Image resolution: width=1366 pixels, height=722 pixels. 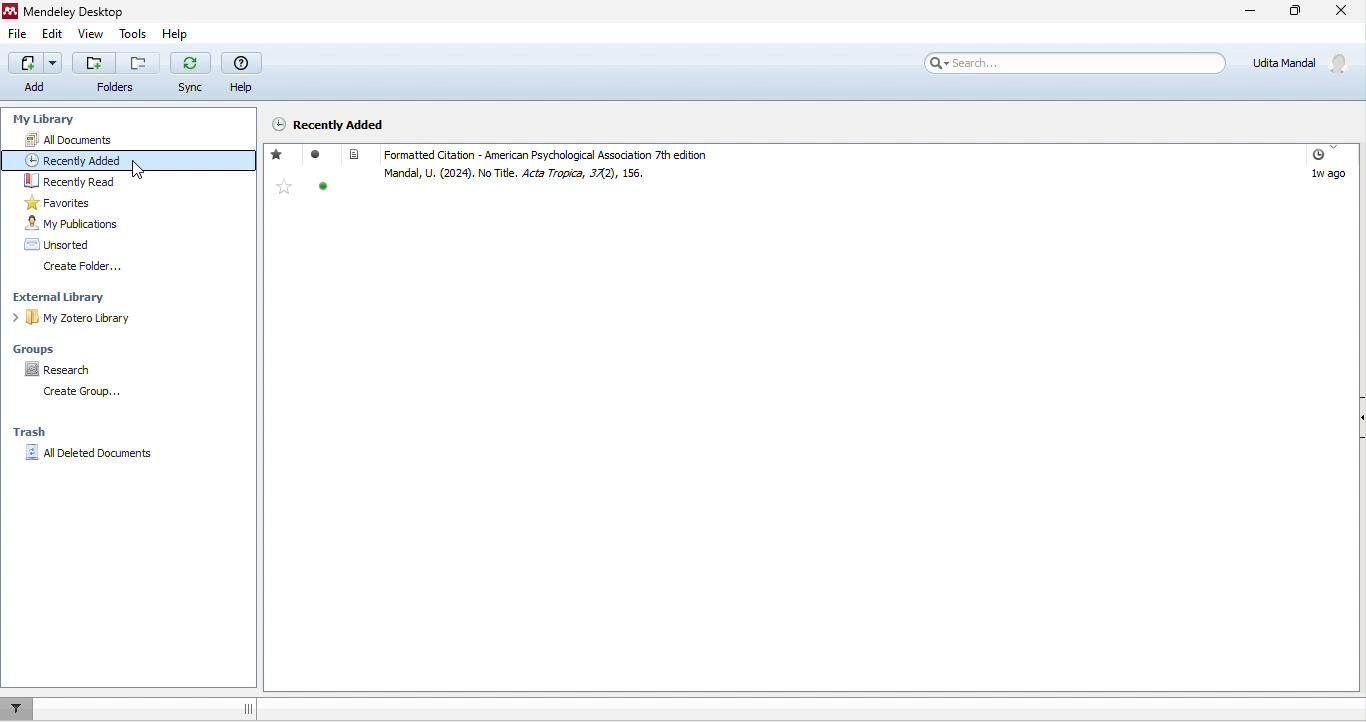 I want to click on file, so click(x=19, y=35).